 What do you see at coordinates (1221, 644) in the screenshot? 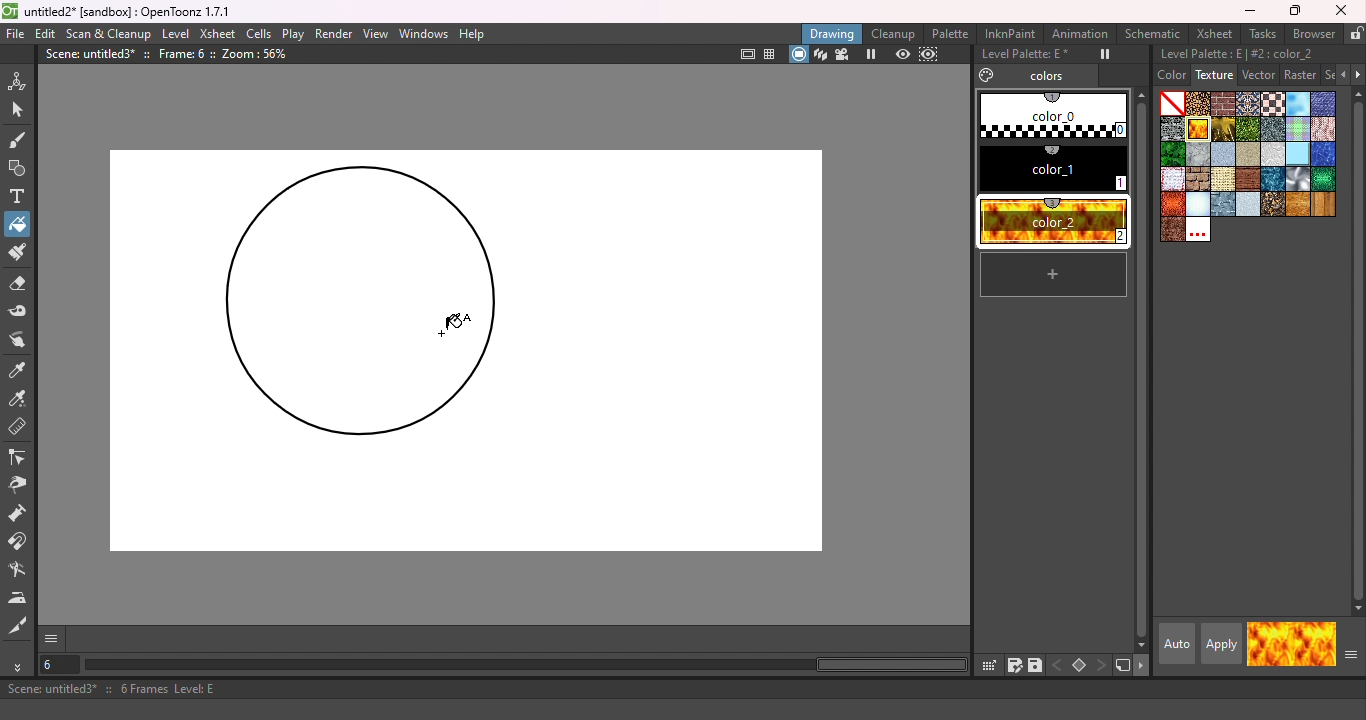
I see `apply` at bounding box center [1221, 644].